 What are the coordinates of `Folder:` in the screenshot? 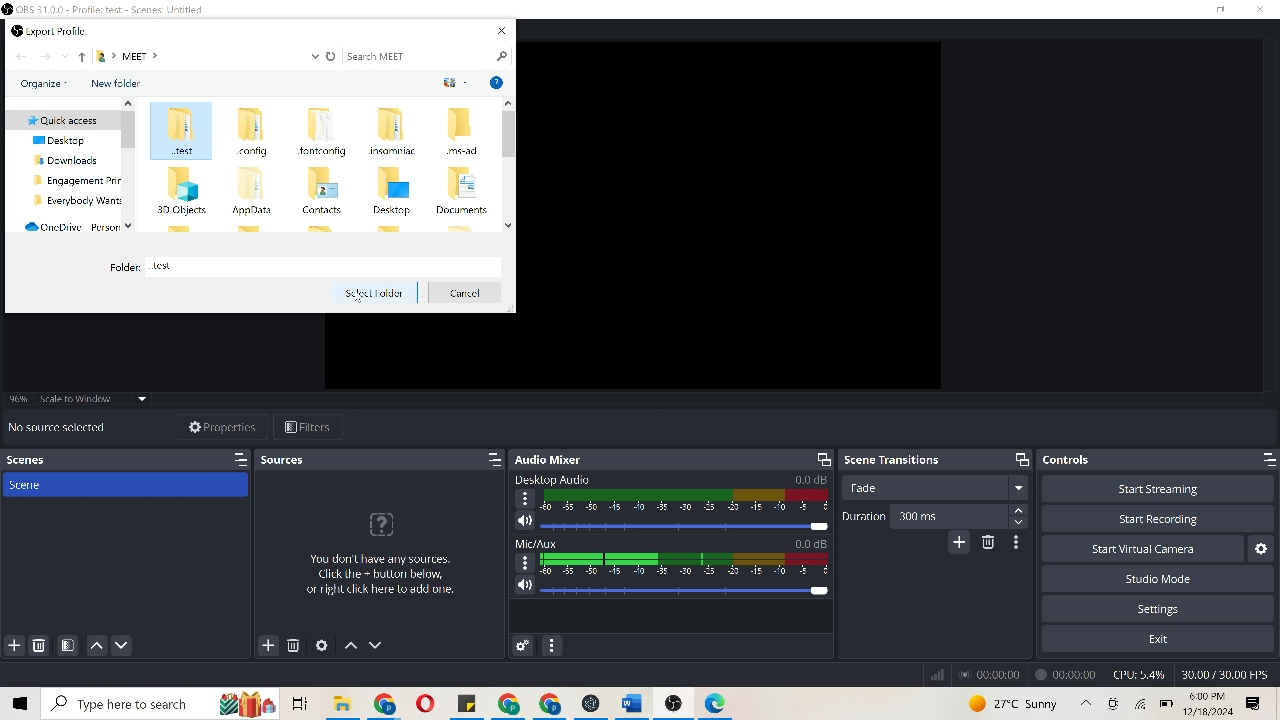 It's located at (124, 265).